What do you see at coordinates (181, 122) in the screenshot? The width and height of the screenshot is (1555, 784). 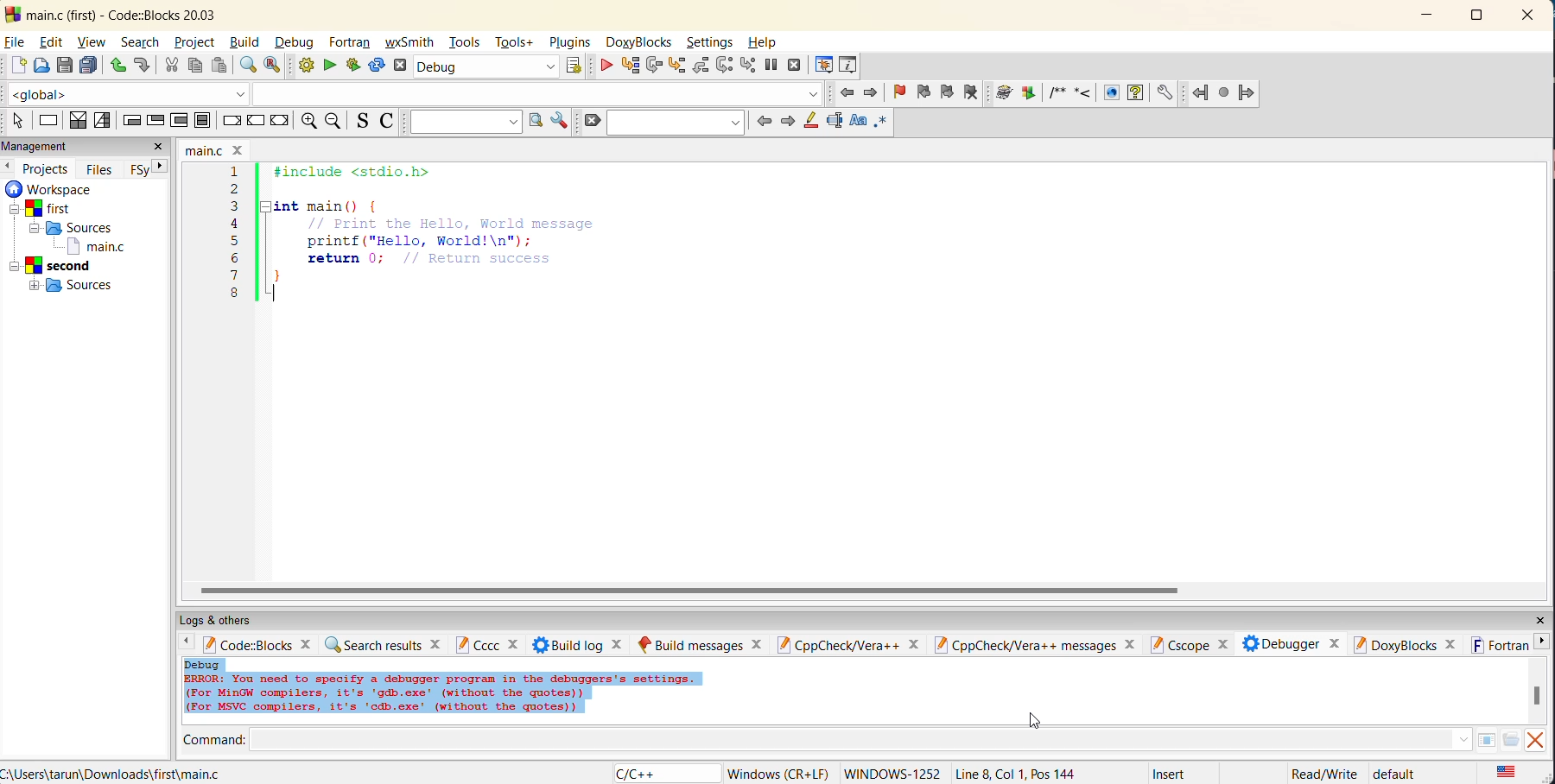 I see `counting loop` at bounding box center [181, 122].